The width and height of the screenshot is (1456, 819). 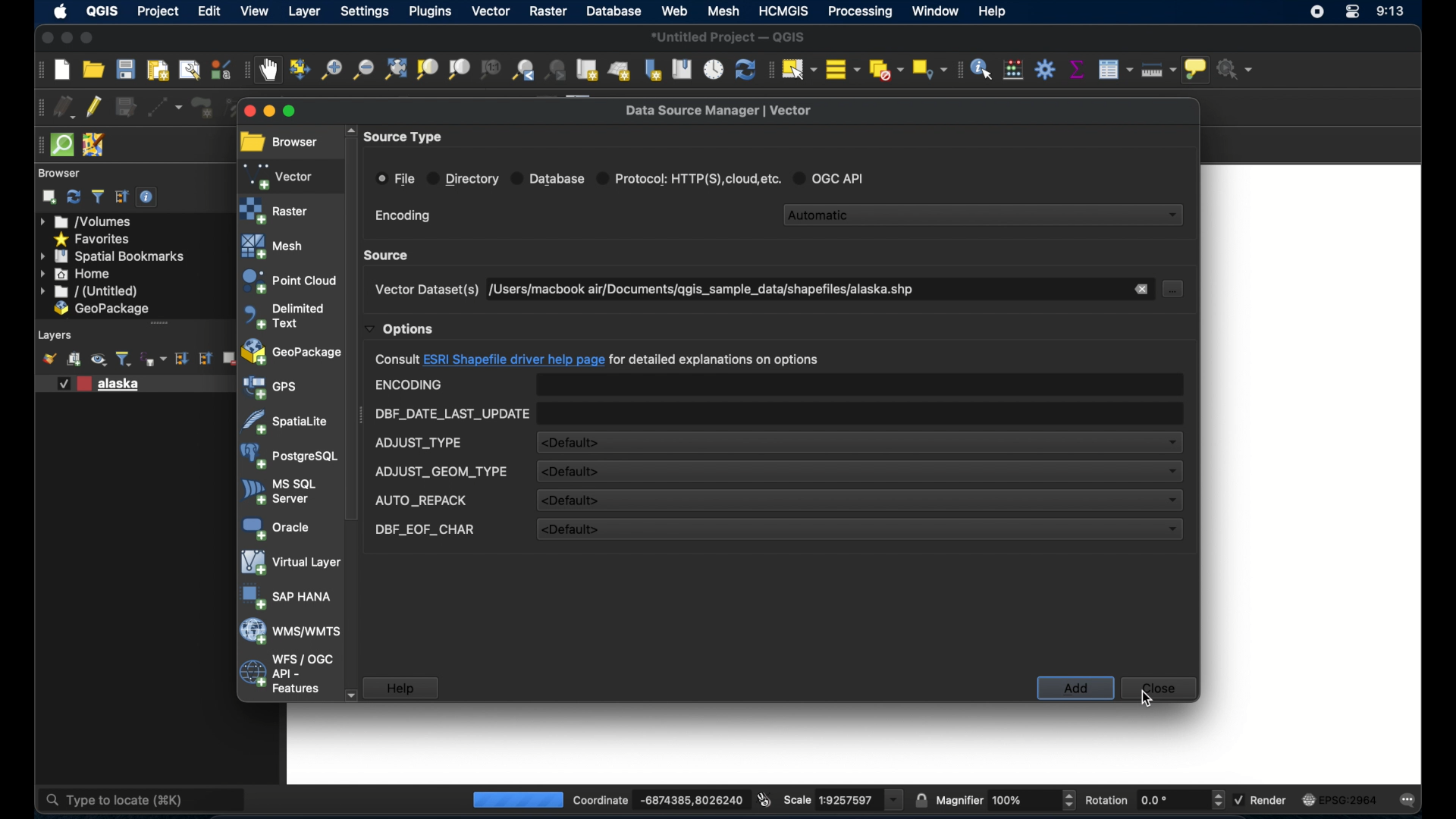 What do you see at coordinates (558, 69) in the screenshot?
I see `zoom next` at bounding box center [558, 69].